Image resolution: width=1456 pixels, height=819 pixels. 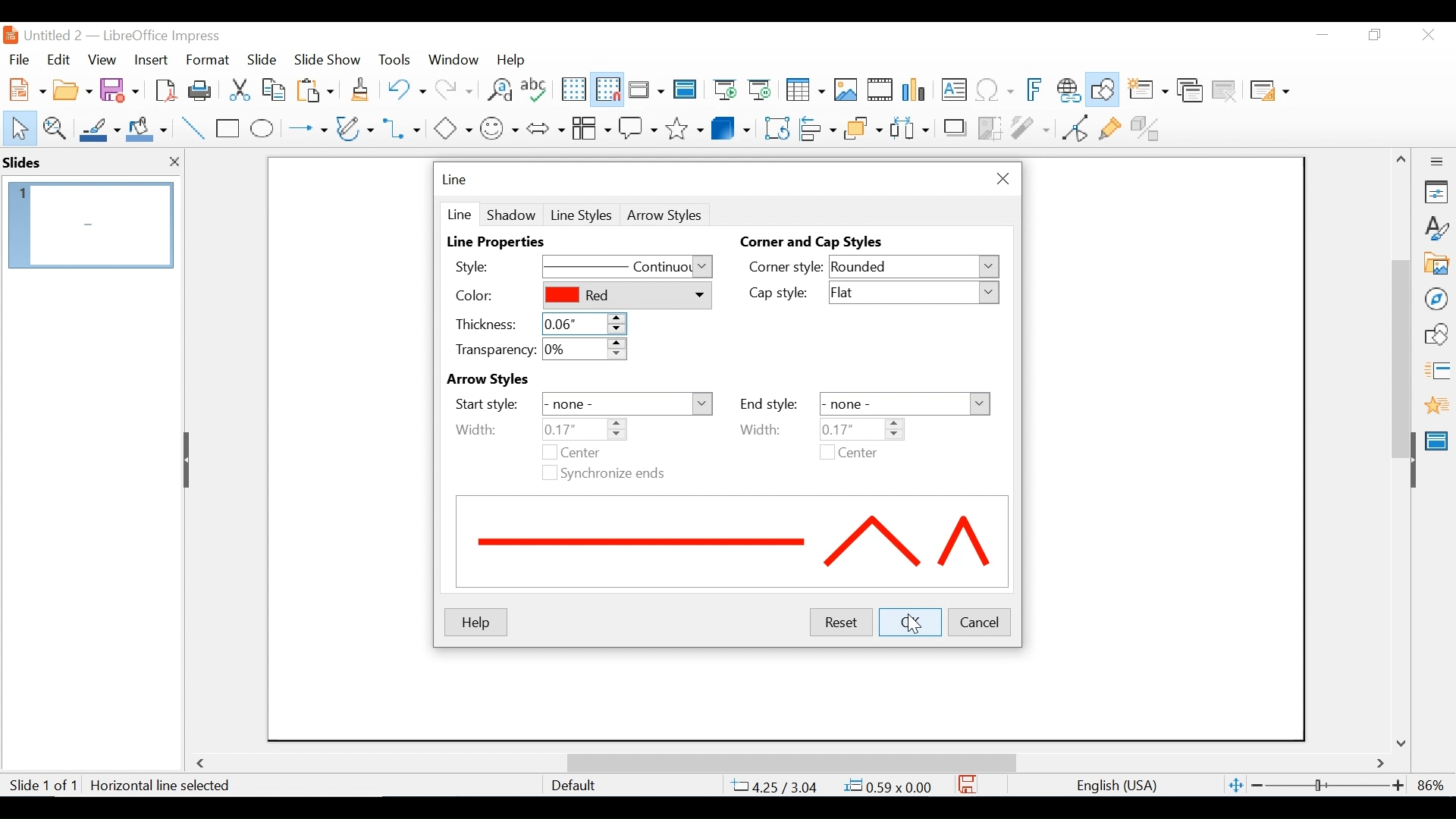 I want to click on Close, so click(x=1426, y=36).